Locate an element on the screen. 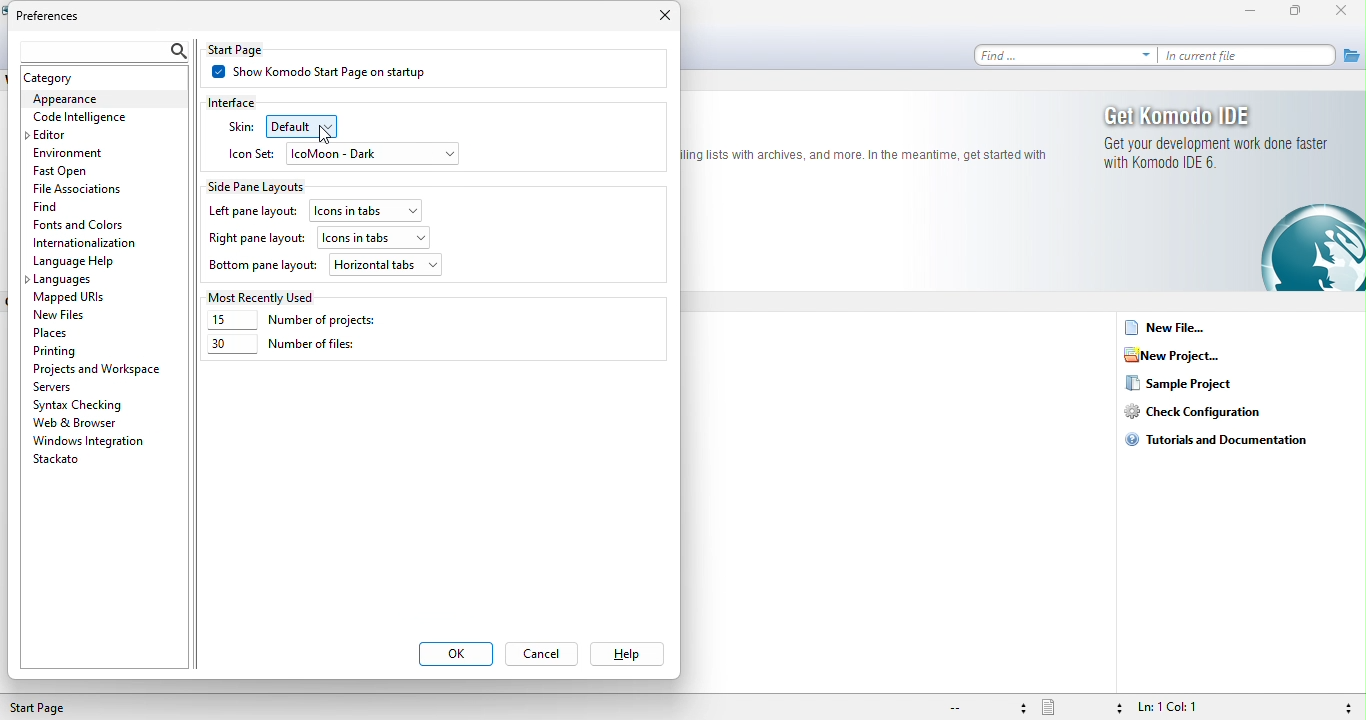 This screenshot has height=720, width=1366. check configuration is located at coordinates (1202, 413).